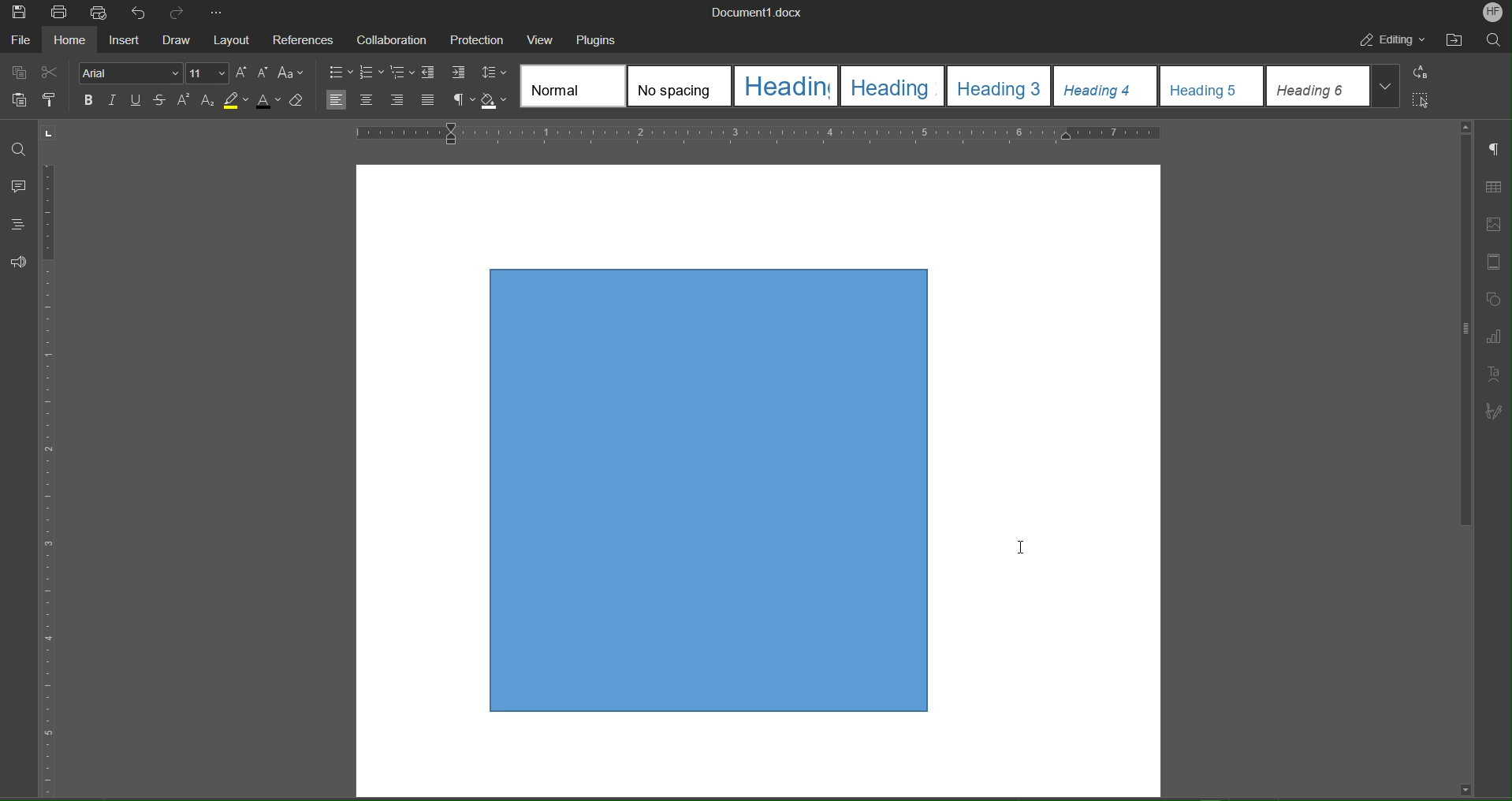  Describe the element at coordinates (208, 102) in the screenshot. I see `Subscript` at that location.